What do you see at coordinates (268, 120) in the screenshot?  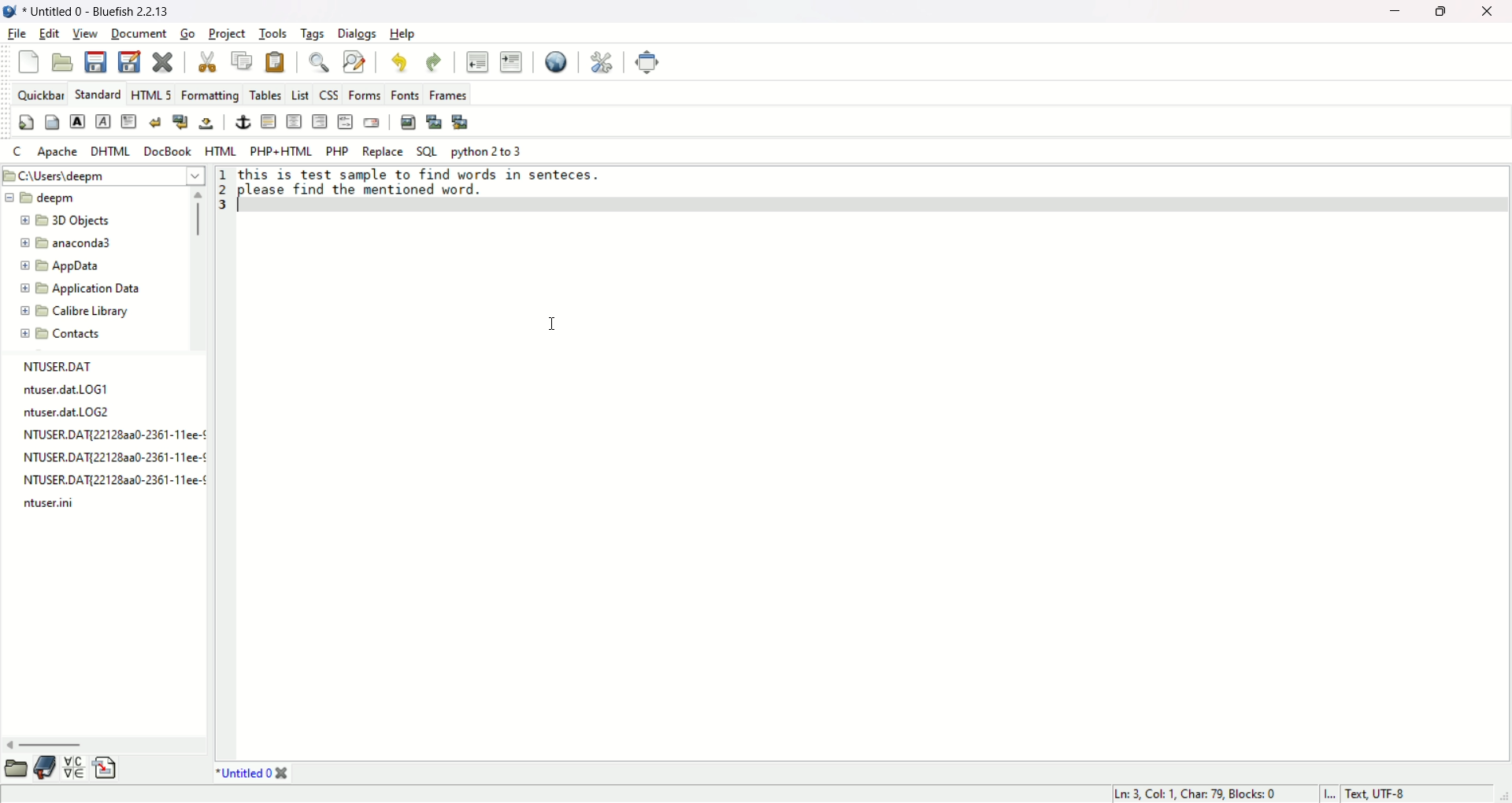 I see `horizontal rule` at bounding box center [268, 120].